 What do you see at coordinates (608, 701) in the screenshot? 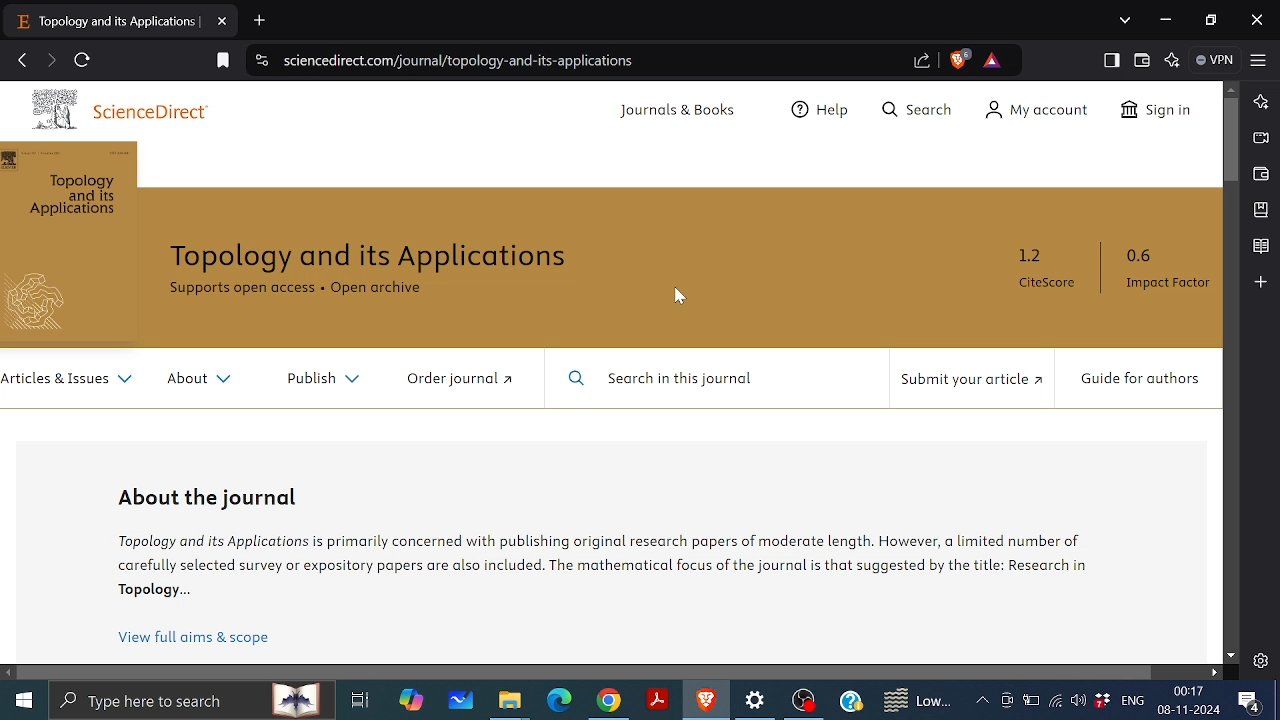
I see `Google Chrome` at bounding box center [608, 701].